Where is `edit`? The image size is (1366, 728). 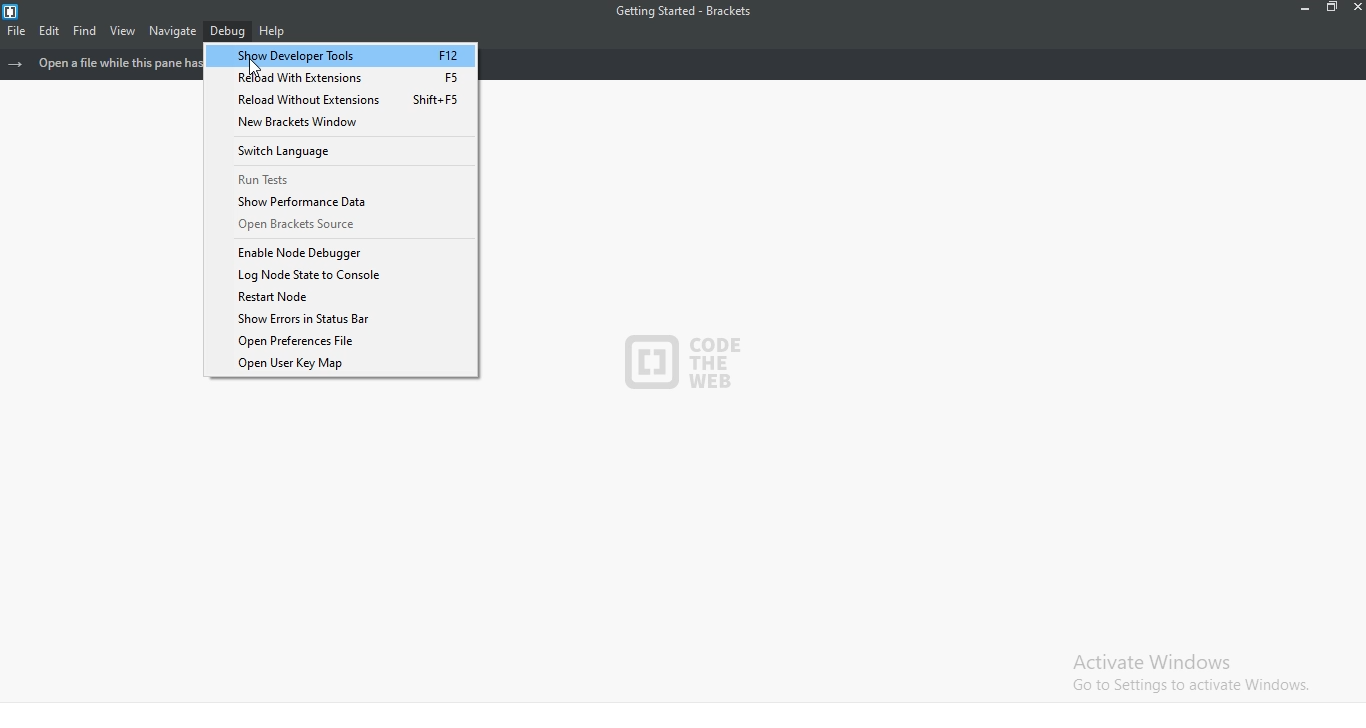
edit is located at coordinates (46, 31).